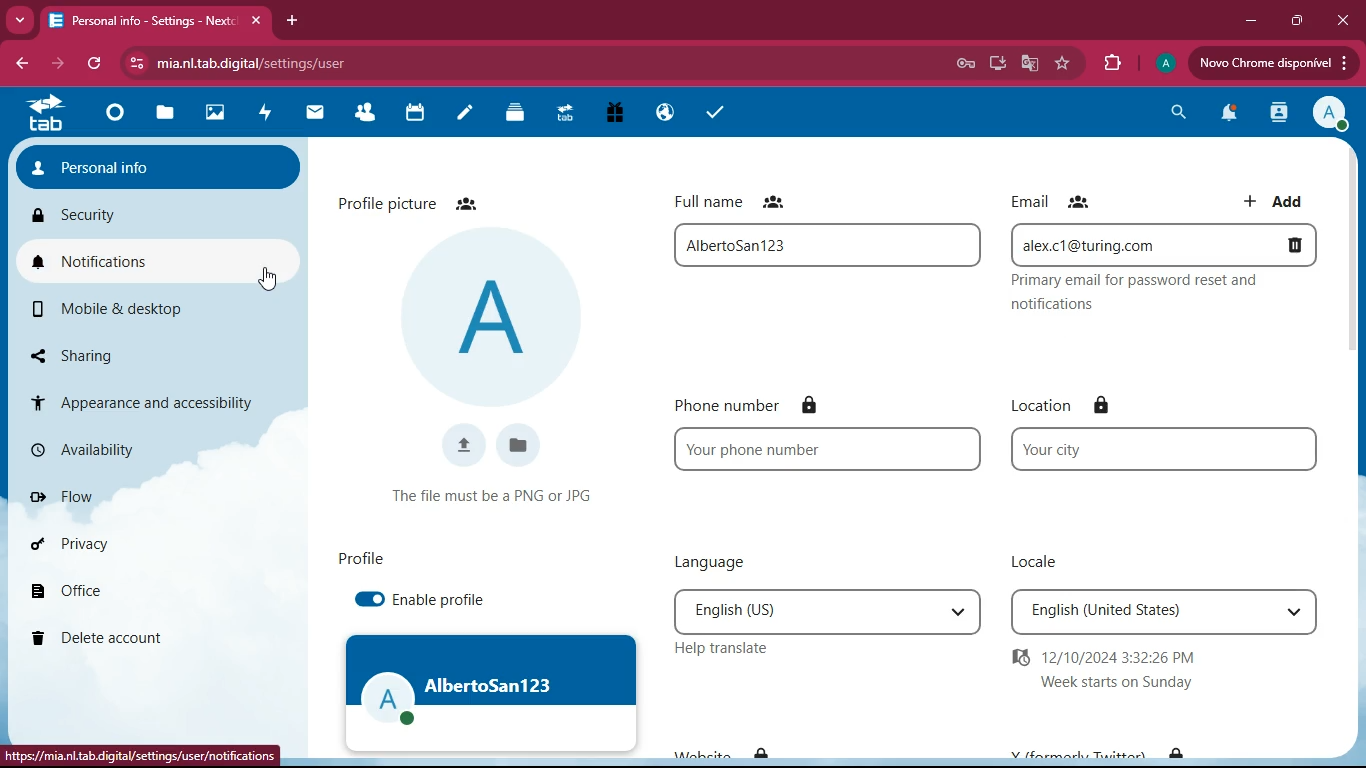 This screenshot has width=1366, height=768. I want to click on mobile, so click(132, 308).